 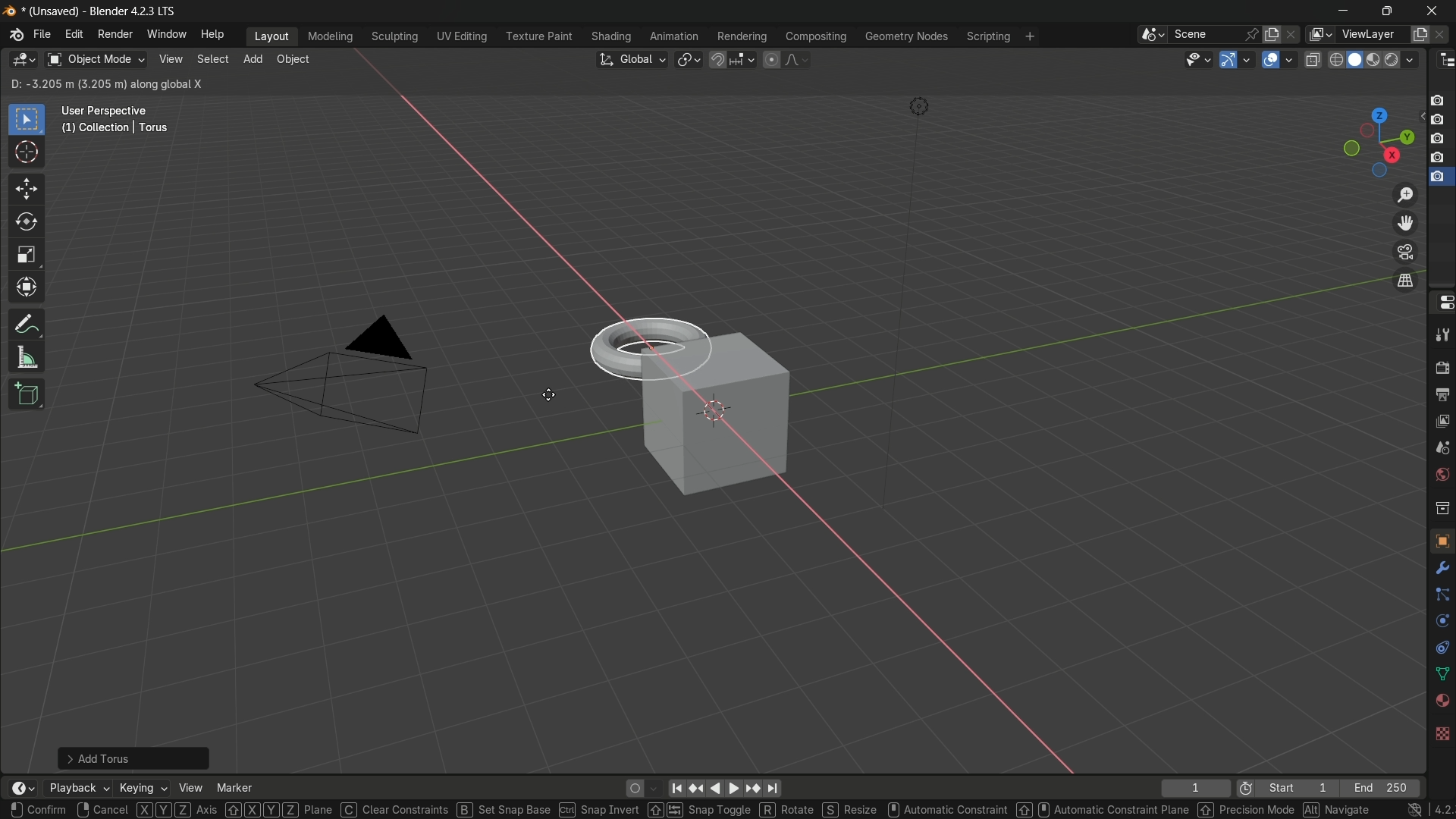 I want to click on logo, so click(x=17, y=35).